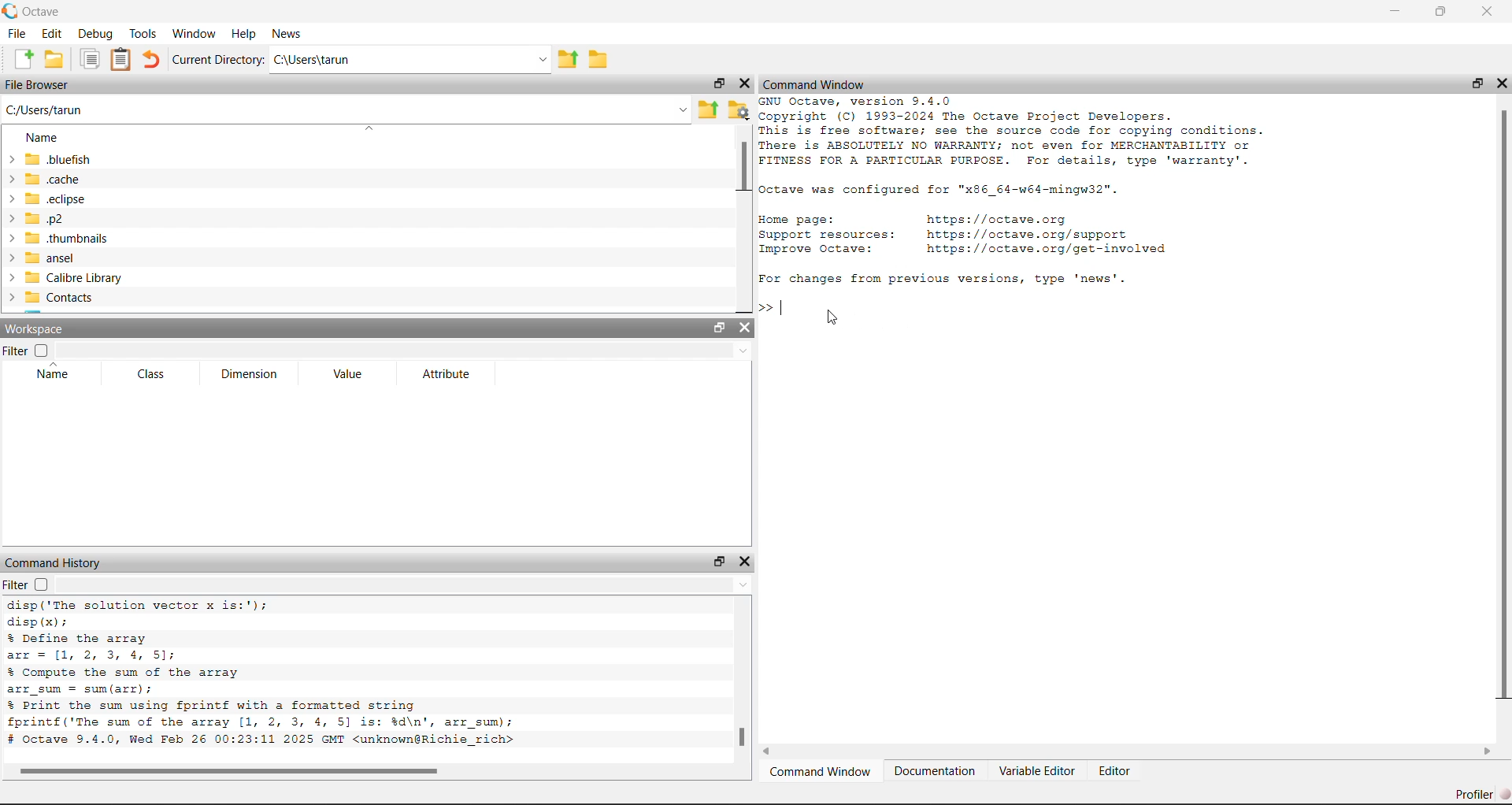  I want to click on Class, so click(156, 375).